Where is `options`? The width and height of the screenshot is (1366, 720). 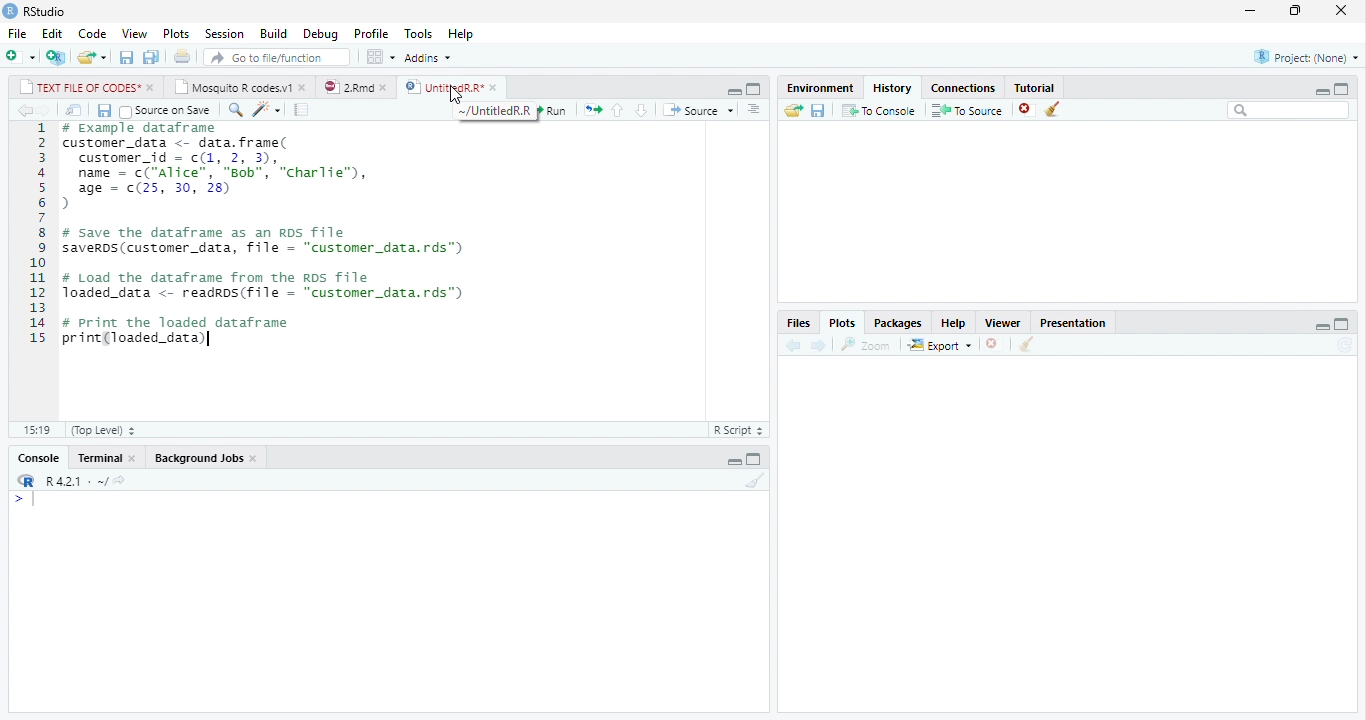
options is located at coordinates (380, 57).